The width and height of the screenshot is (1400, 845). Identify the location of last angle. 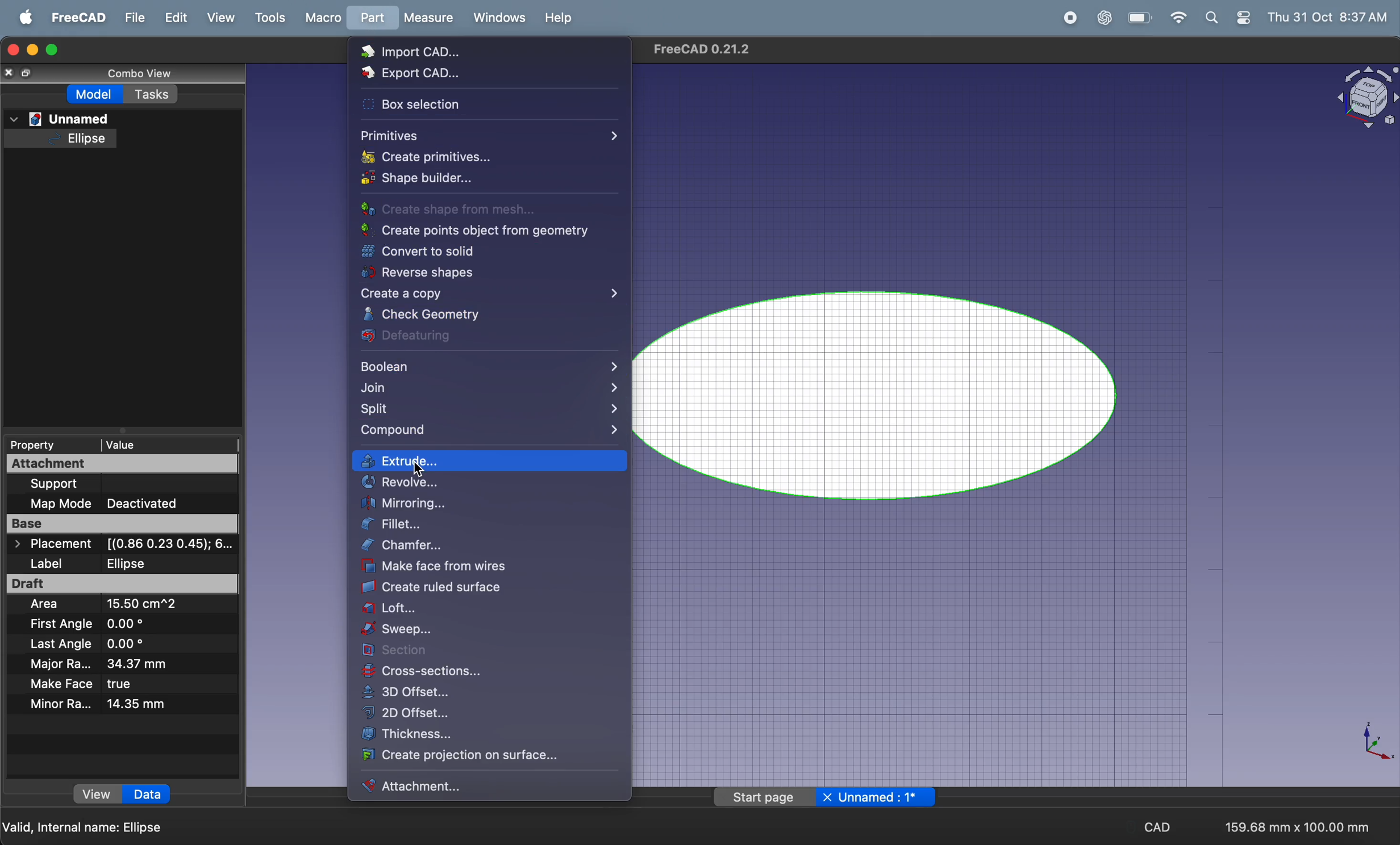
(84, 645).